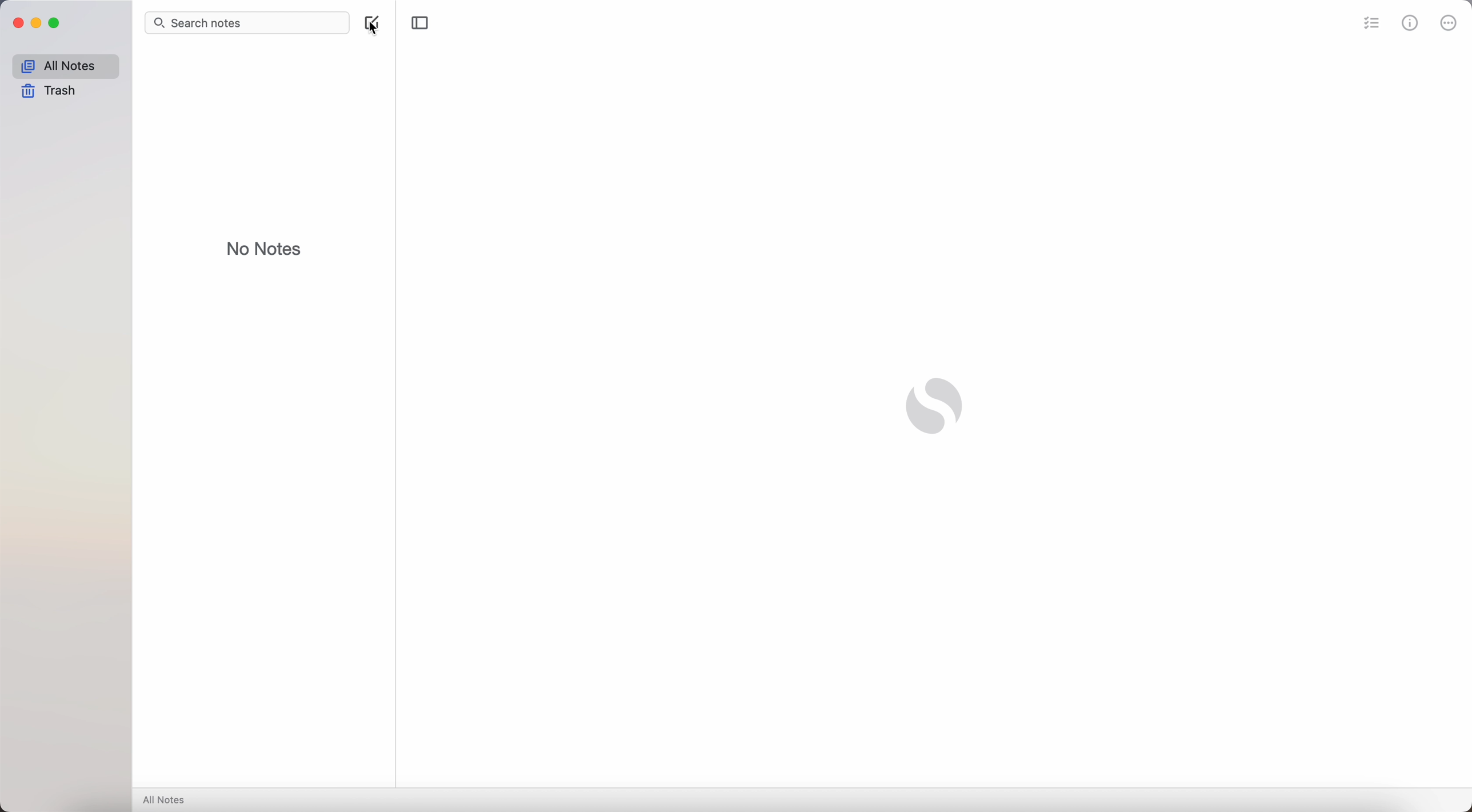 This screenshot has width=1472, height=812. What do you see at coordinates (54, 23) in the screenshot?
I see `maximize` at bounding box center [54, 23].